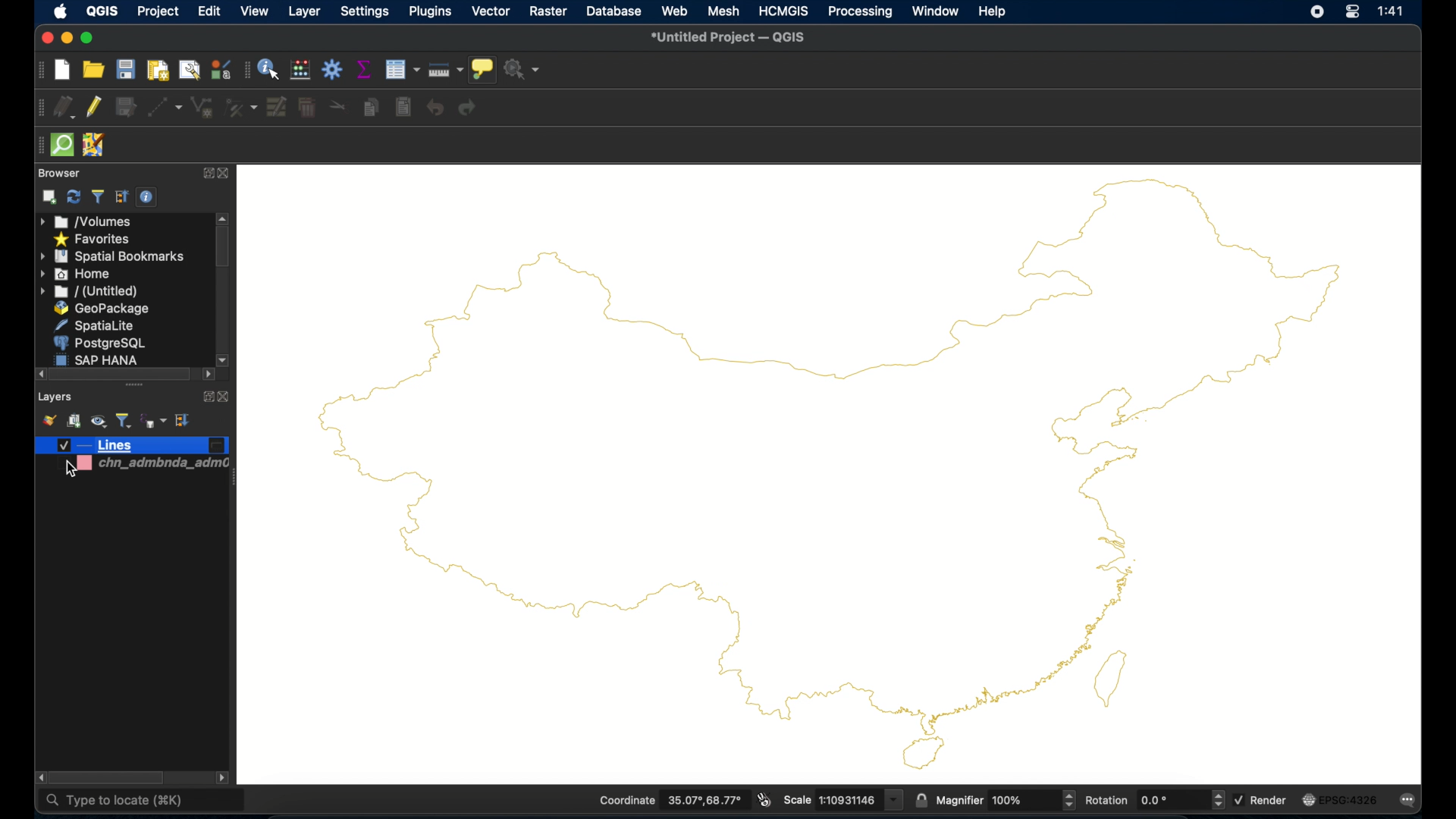 This screenshot has height=819, width=1456. What do you see at coordinates (483, 70) in the screenshot?
I see `show map tips` at bounding box center [483, 70].